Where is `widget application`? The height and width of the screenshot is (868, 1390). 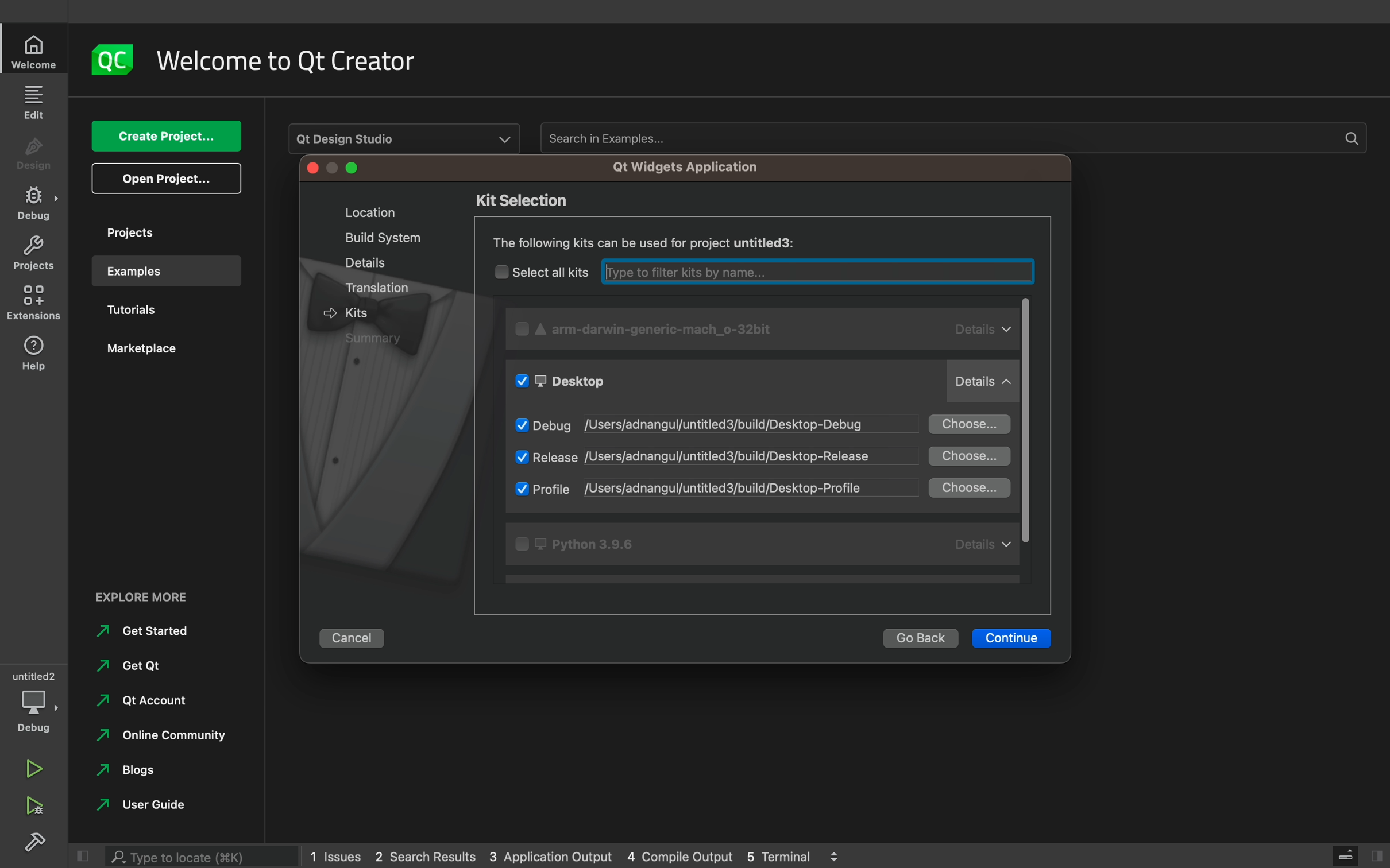
widget application is located at coordinates (681, 167).